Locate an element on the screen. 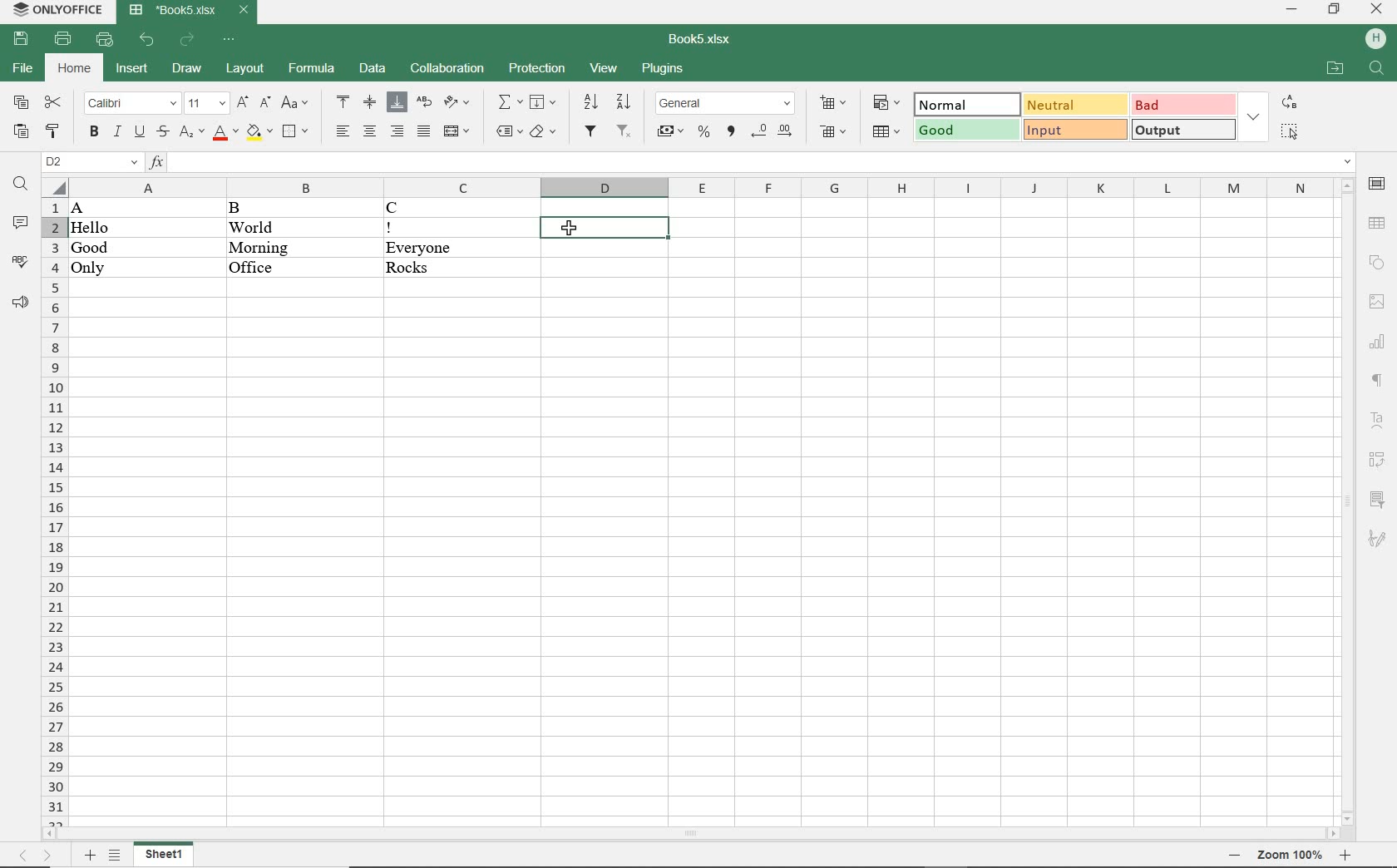  COMMA STYLE is located at coordinates (732, 131).